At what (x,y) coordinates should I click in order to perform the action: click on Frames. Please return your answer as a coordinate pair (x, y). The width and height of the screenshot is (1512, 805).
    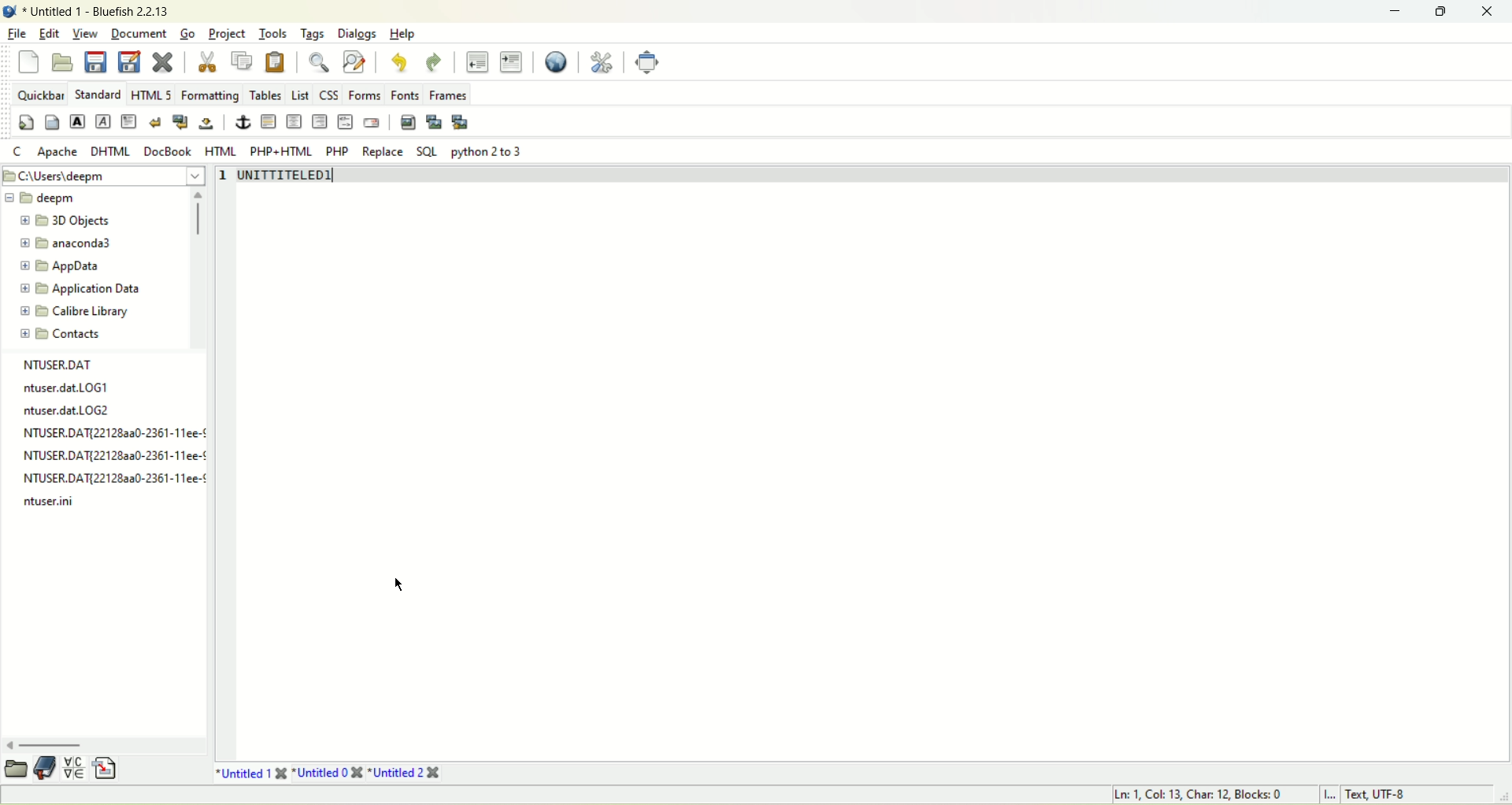
    Looking at the image, I should click on (452, 93).